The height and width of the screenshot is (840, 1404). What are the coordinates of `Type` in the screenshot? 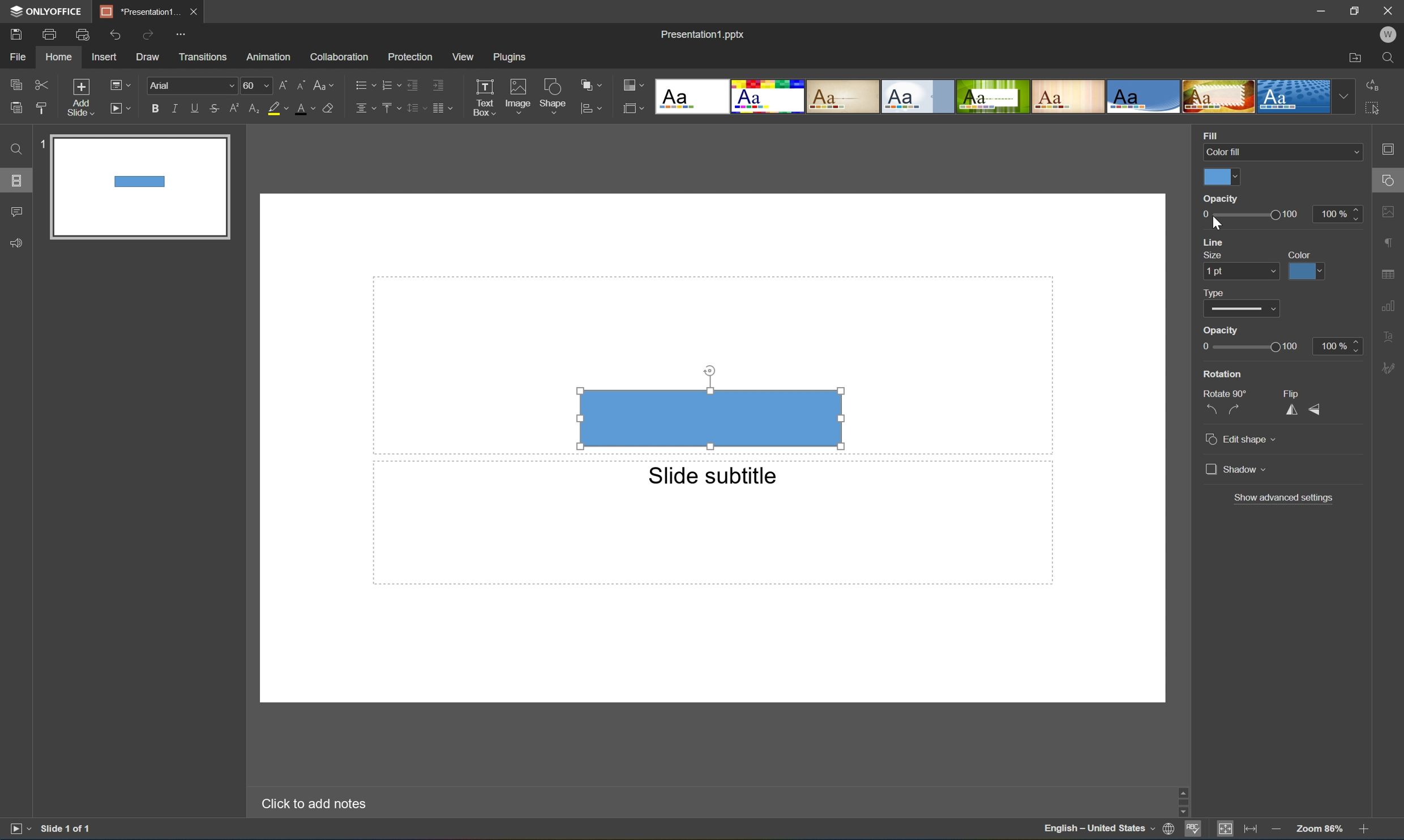 It's located at (1214, 293).